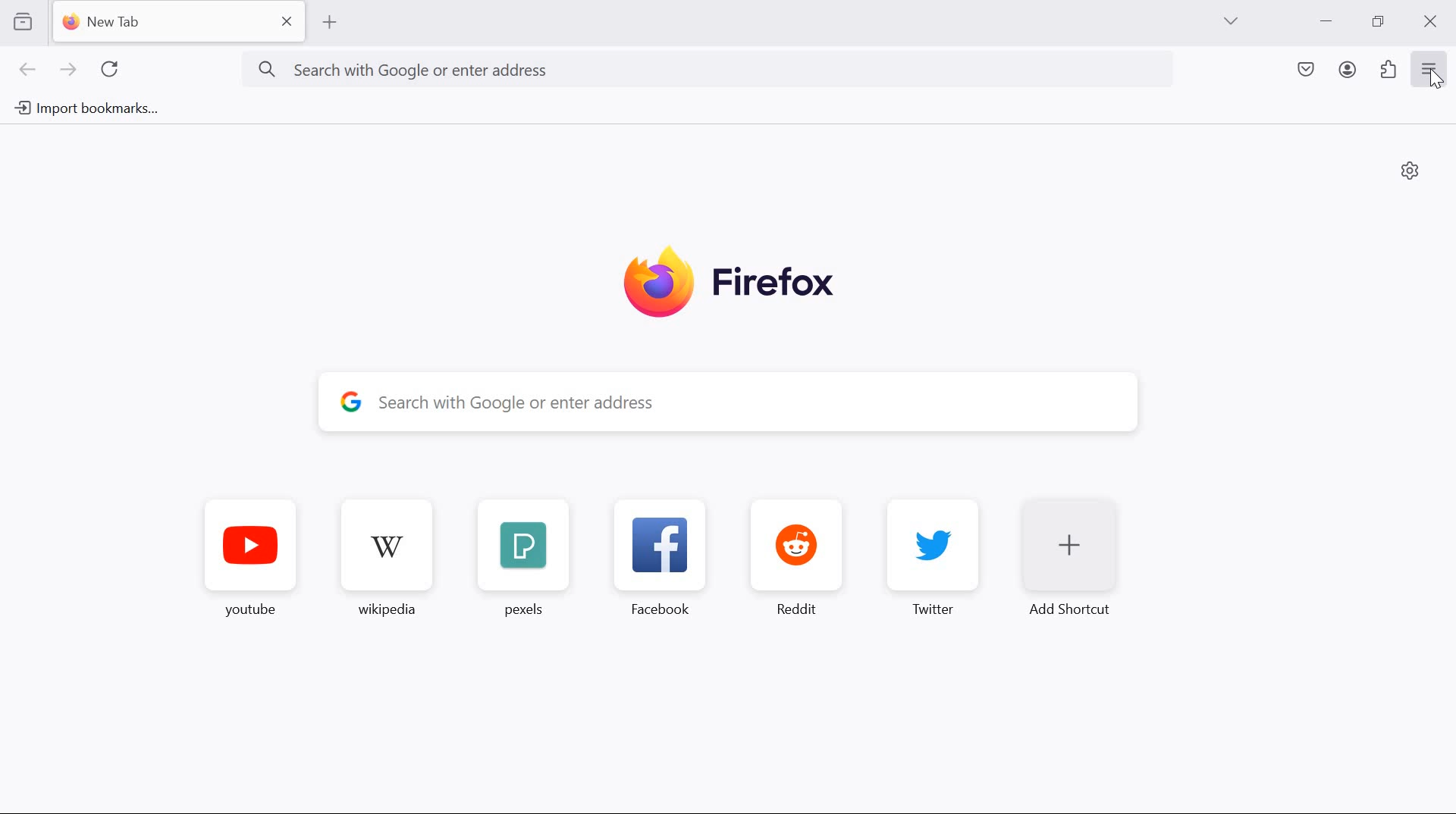  What do you see at coordinates (1436, 83) in the screenshot?
I see `cursor` at bounding box center [1436, 83].